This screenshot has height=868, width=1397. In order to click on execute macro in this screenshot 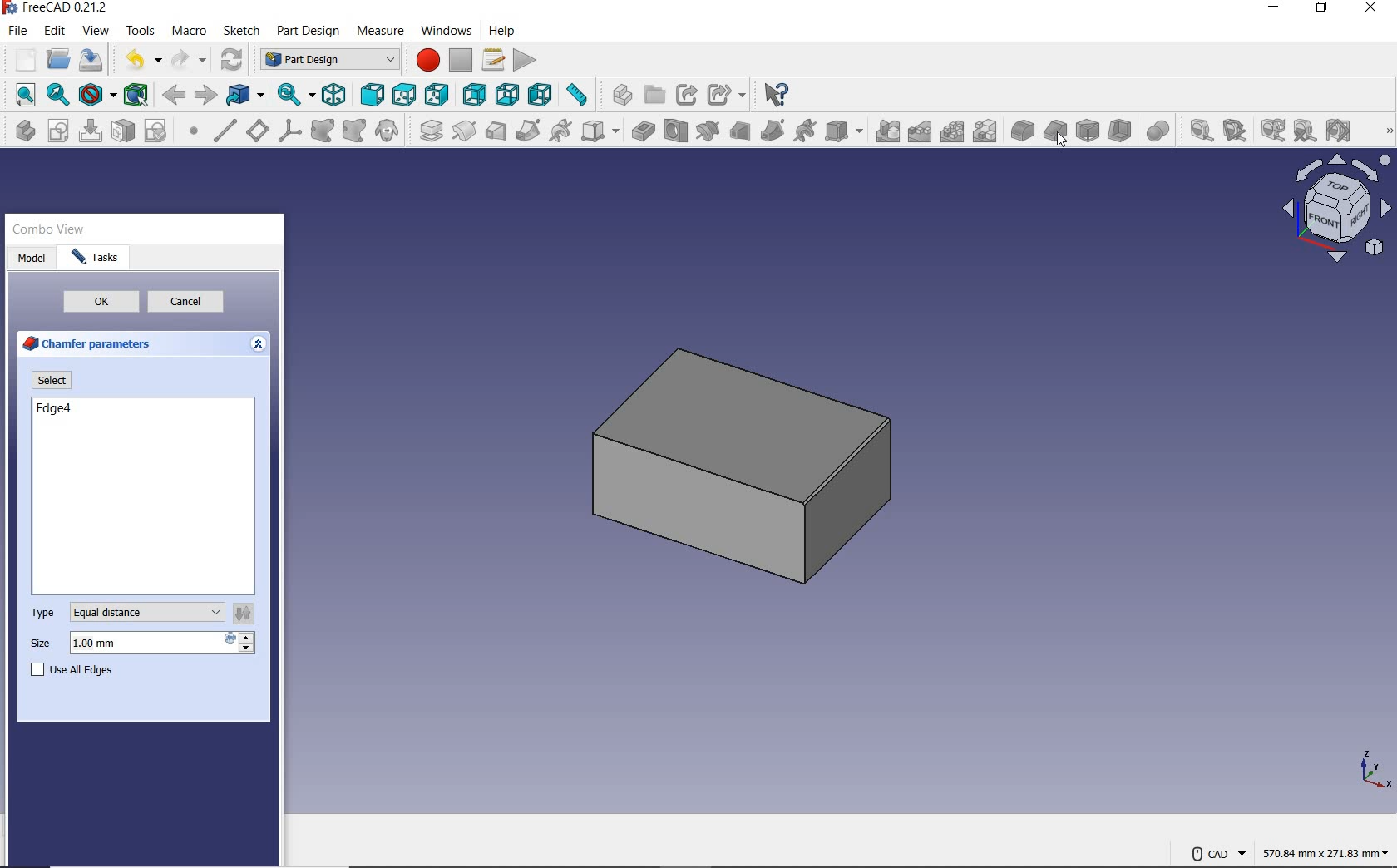, I will do `click(525, 60)`.